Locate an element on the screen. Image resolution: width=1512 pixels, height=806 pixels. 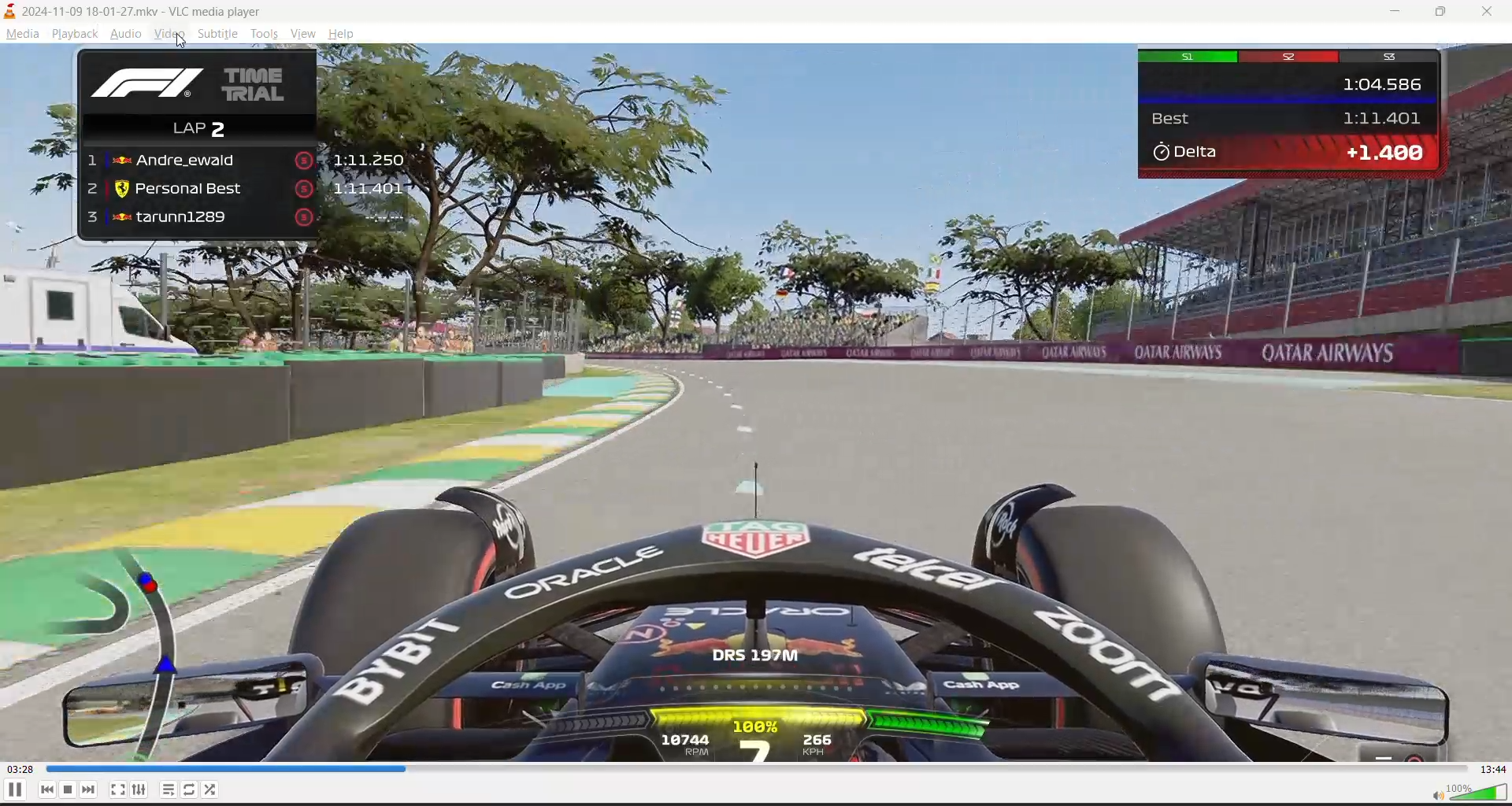
toggle playlist is located at coordinates (170, 789).